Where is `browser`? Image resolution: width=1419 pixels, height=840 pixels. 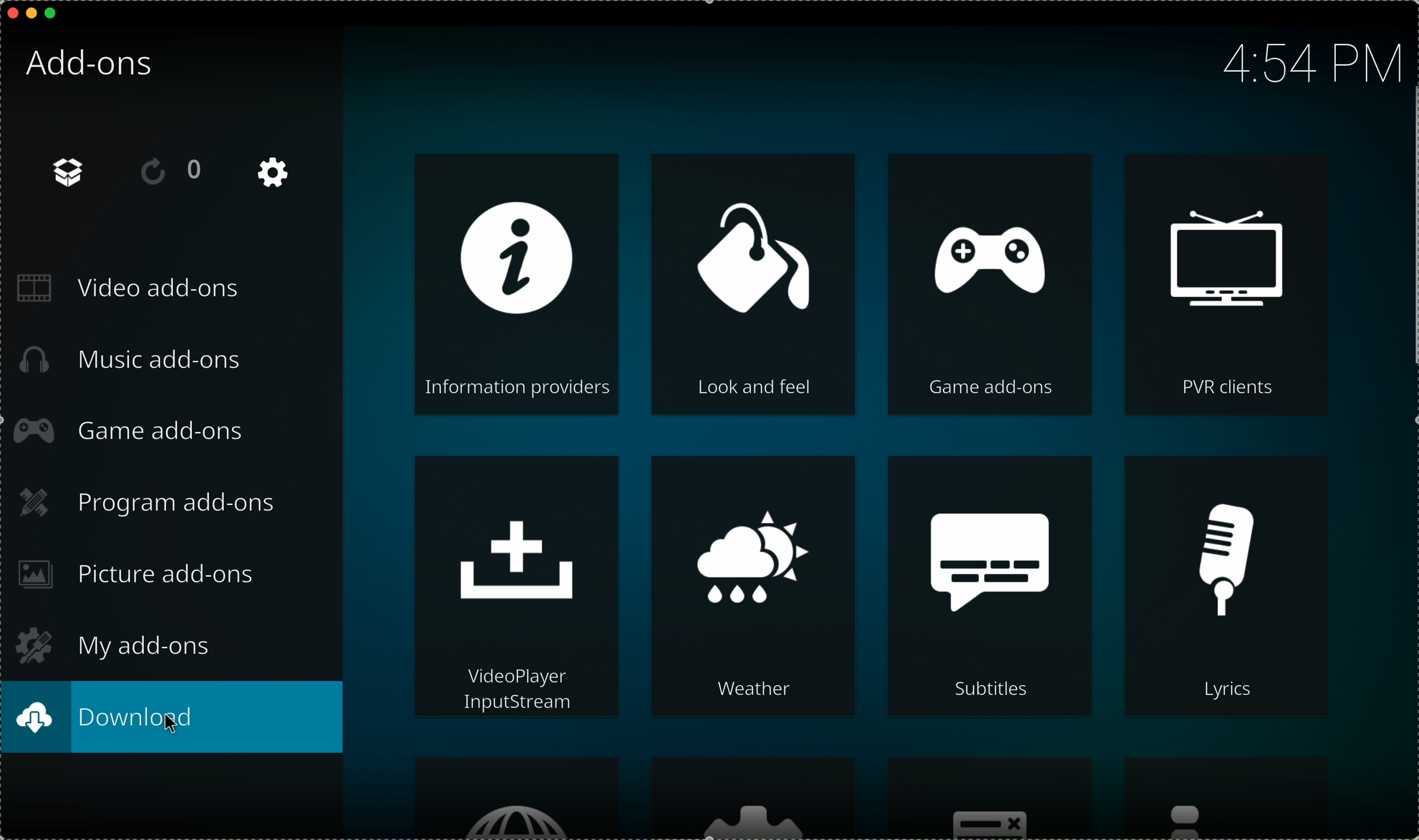
browser is located at coordinates (519, 798).